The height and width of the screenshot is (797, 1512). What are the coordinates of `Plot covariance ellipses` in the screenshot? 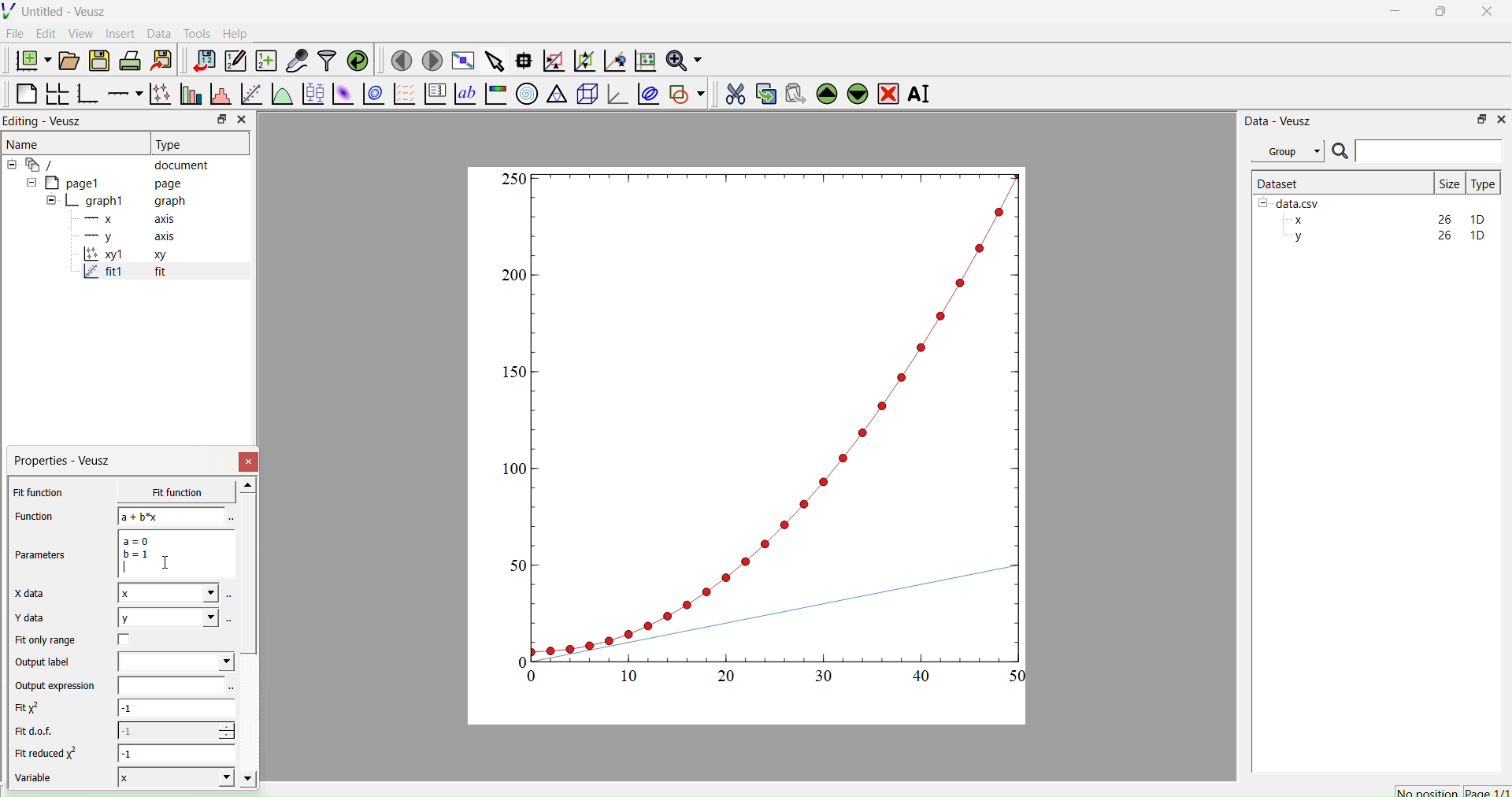 It's located at (647, 93).